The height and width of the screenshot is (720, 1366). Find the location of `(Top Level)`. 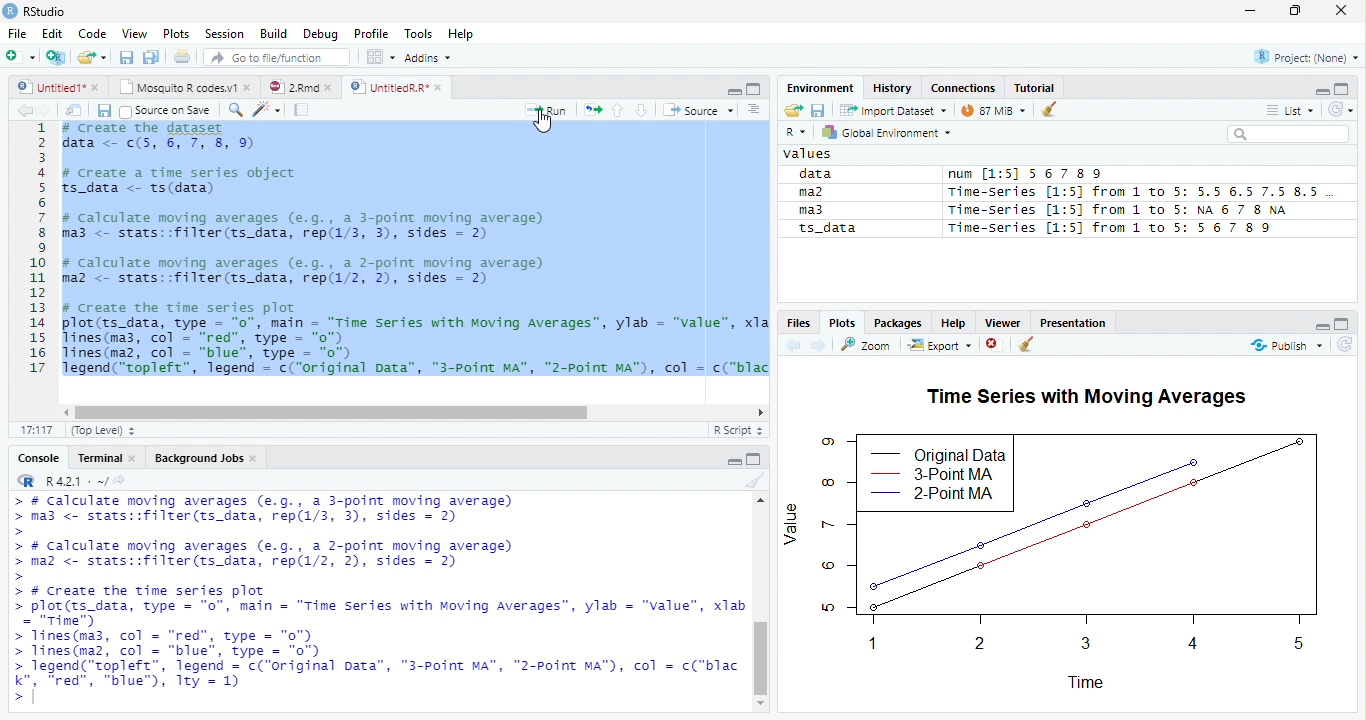

(Top Level) is located at coordinates (98, 431).